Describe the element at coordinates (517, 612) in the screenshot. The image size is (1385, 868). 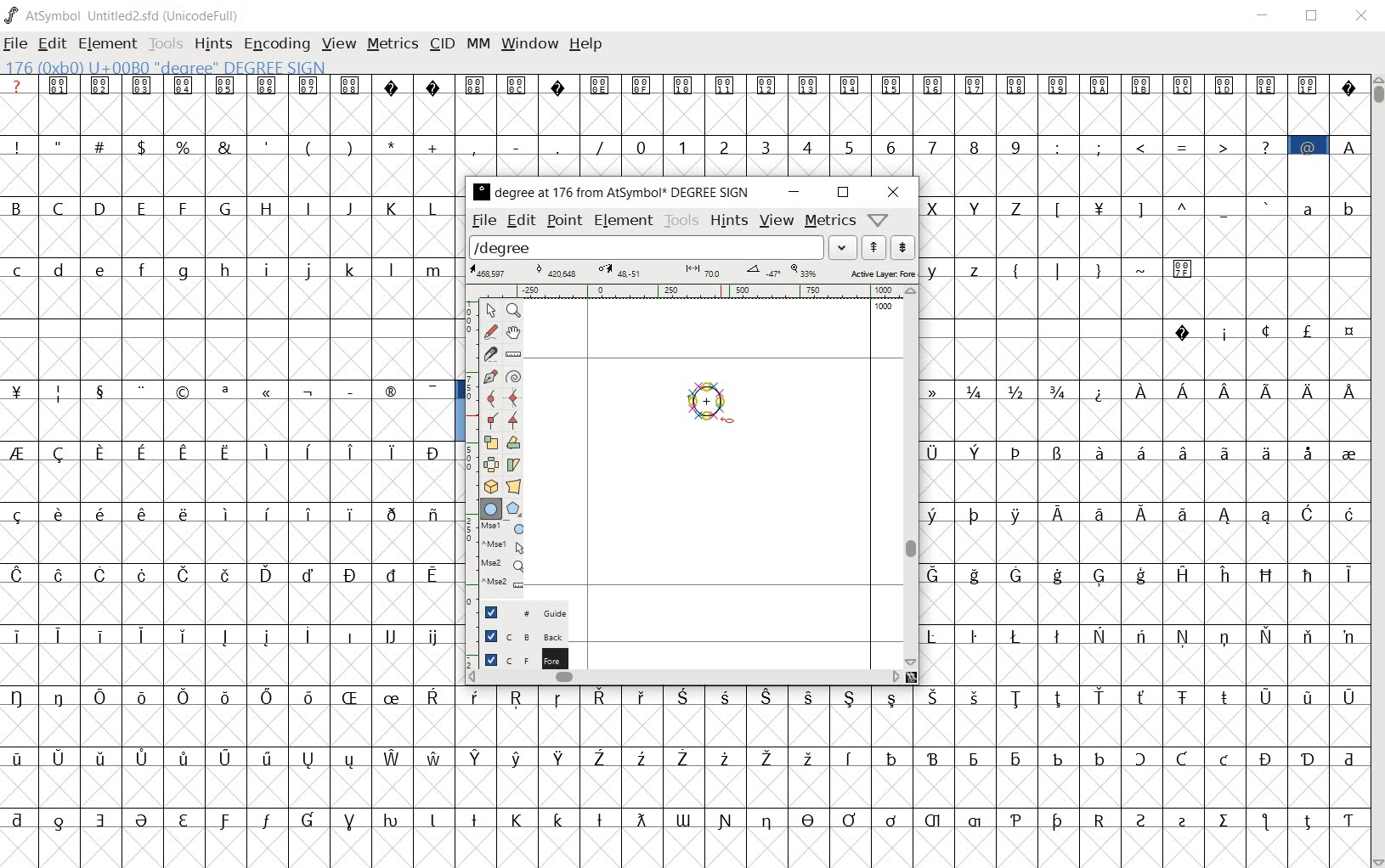
I see `guide` at that location.